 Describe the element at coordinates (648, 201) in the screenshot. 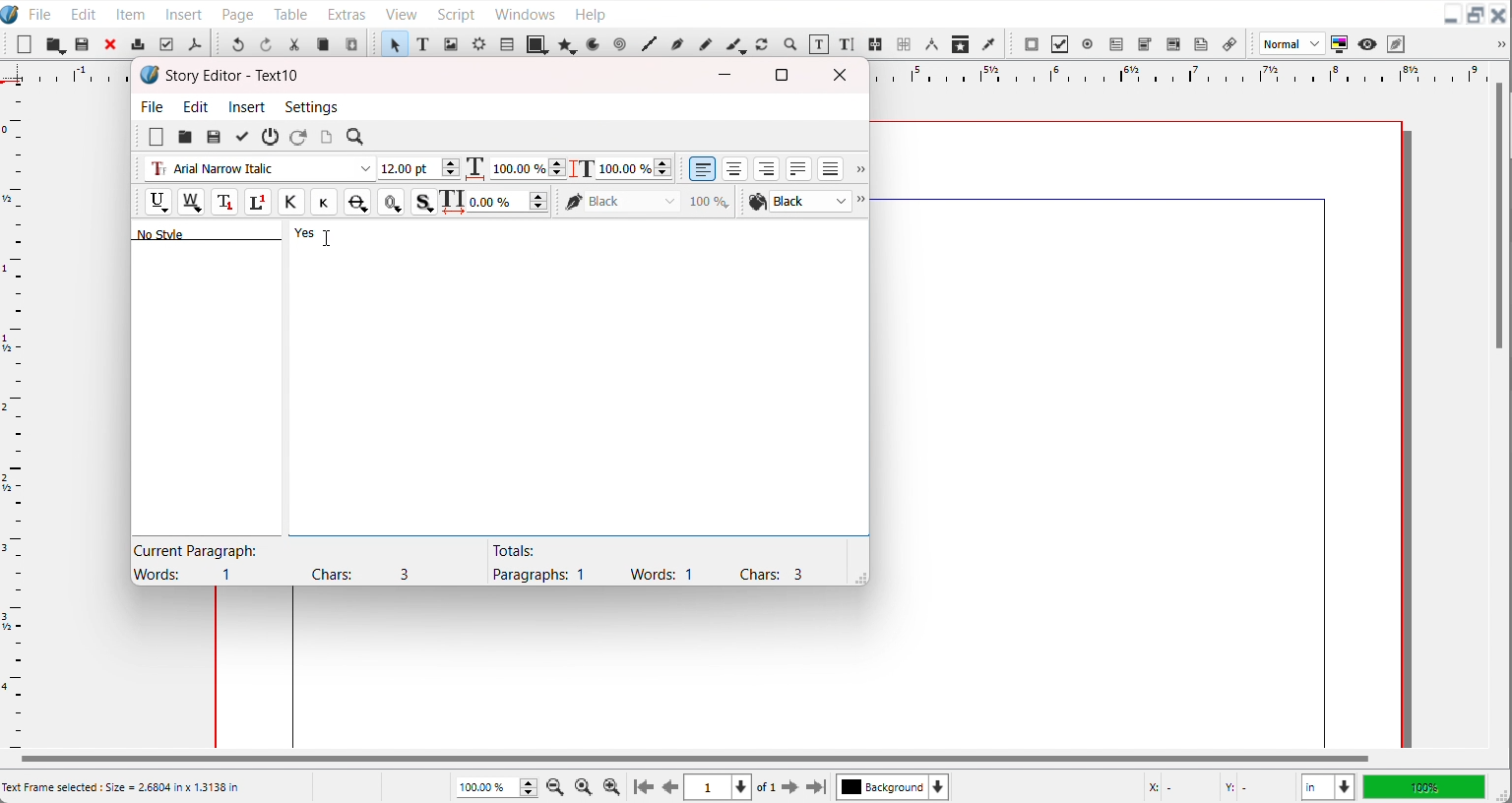

I see `Black` at that location.